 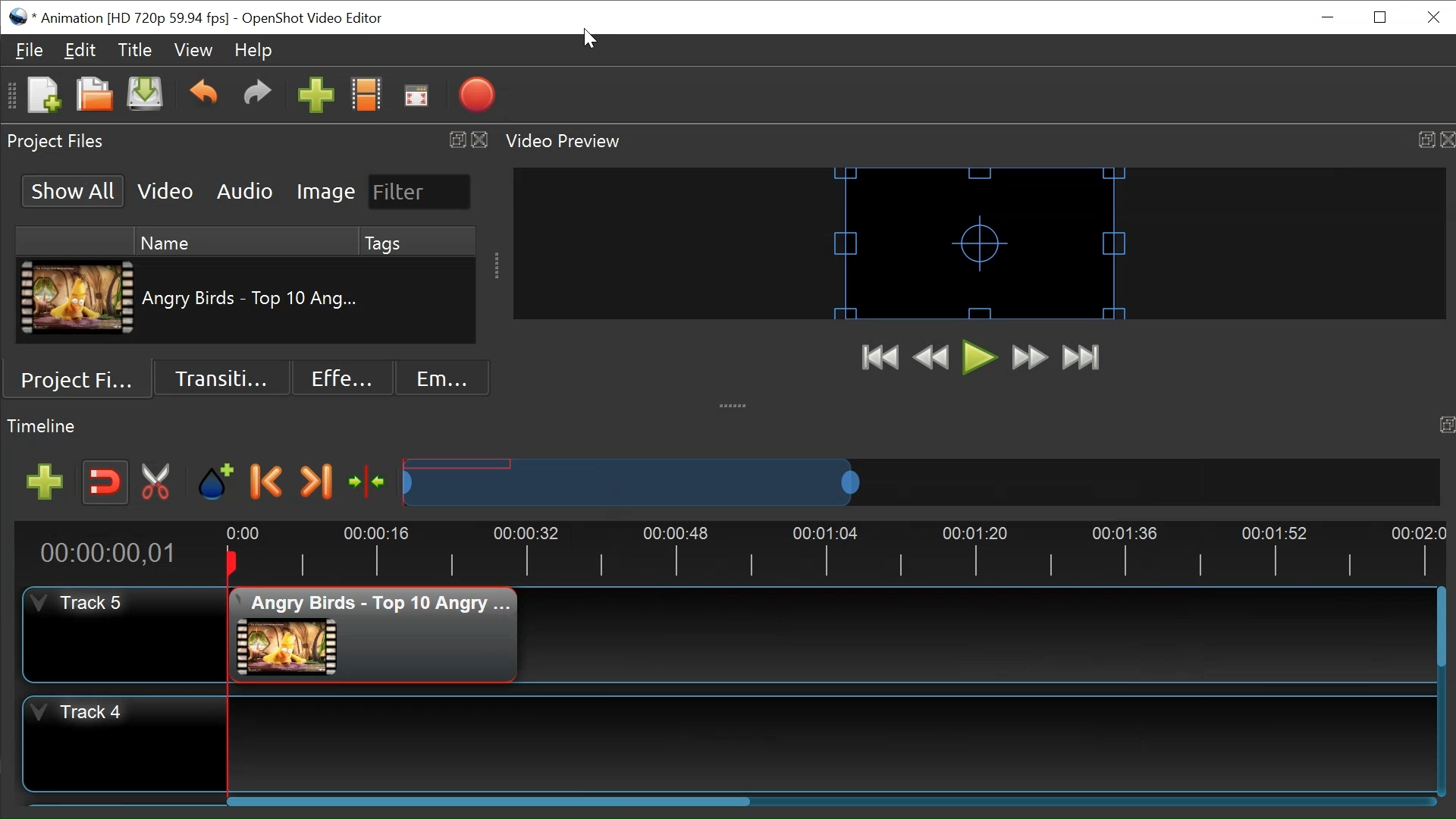 What do you see at coordinates (247, 142) in the screenshot?
I see `Project Files` at bounding box center [247, 142].